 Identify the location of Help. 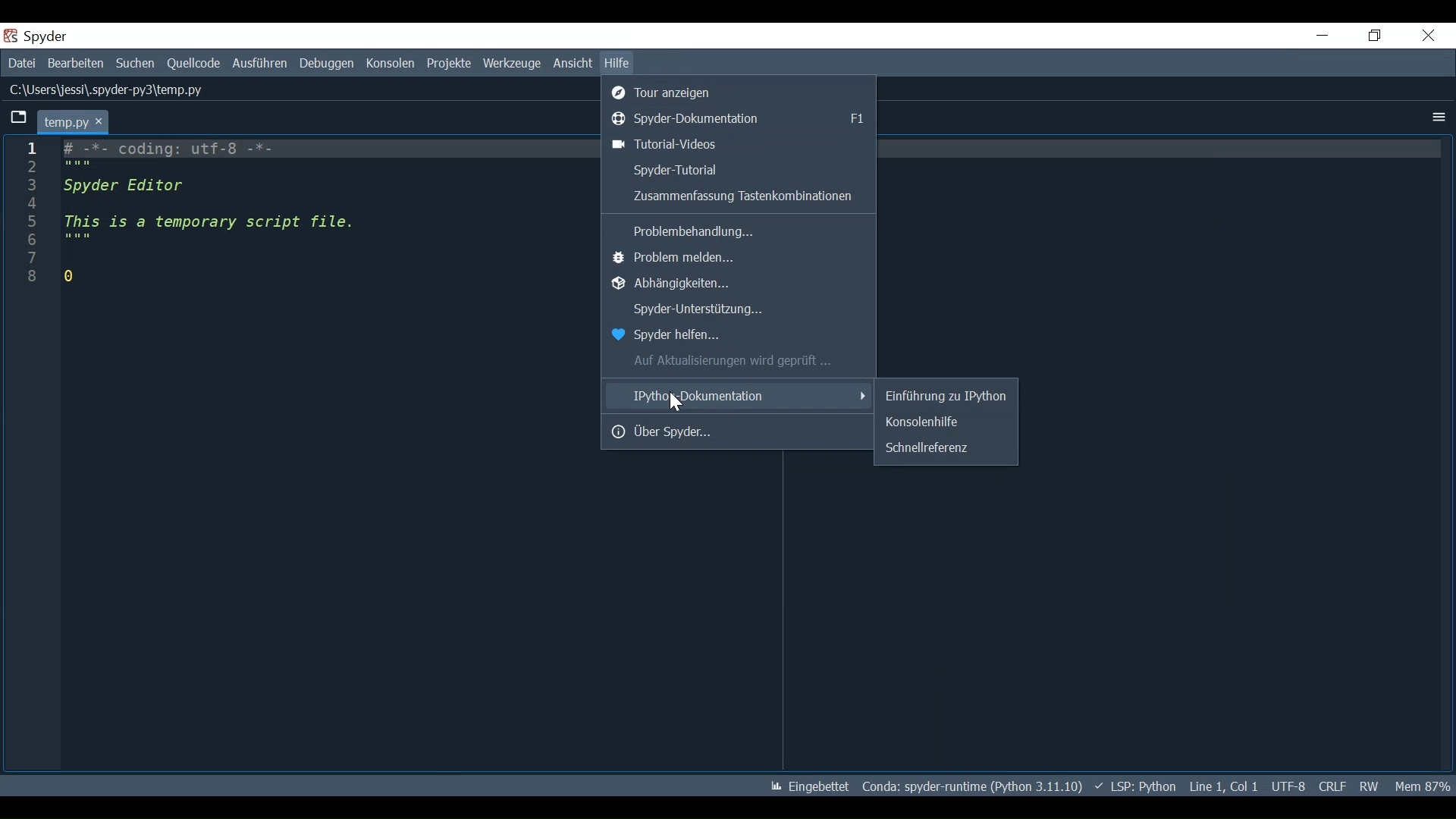
(617, 63).